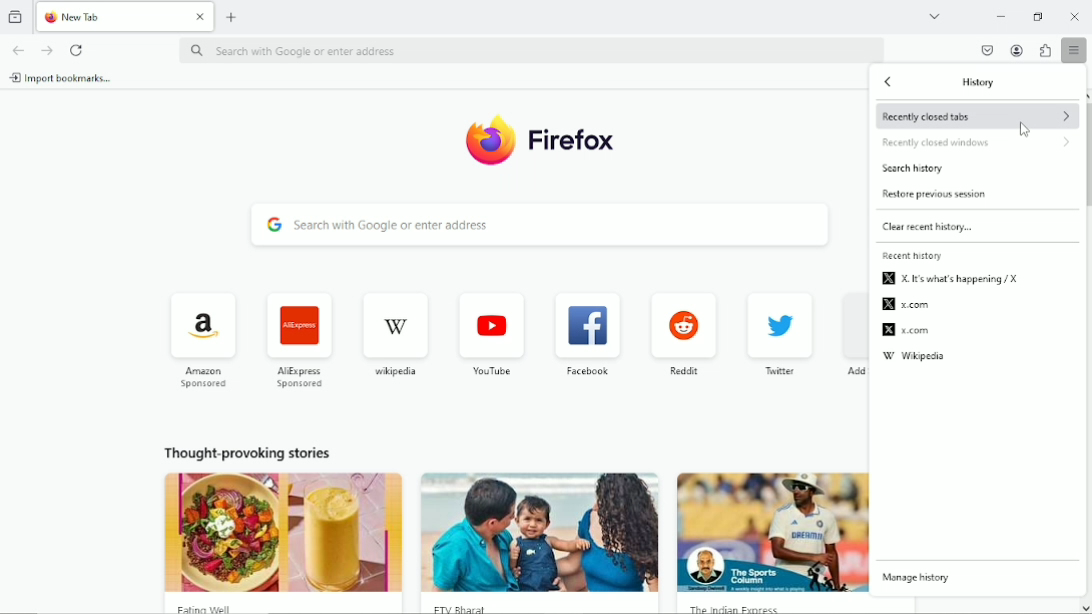 Image resolution: width=1092 pixels, height=614 pixels. Describe the element at coordinates (980, 143) in the screenshot. I see `recently closed windows` at that location.